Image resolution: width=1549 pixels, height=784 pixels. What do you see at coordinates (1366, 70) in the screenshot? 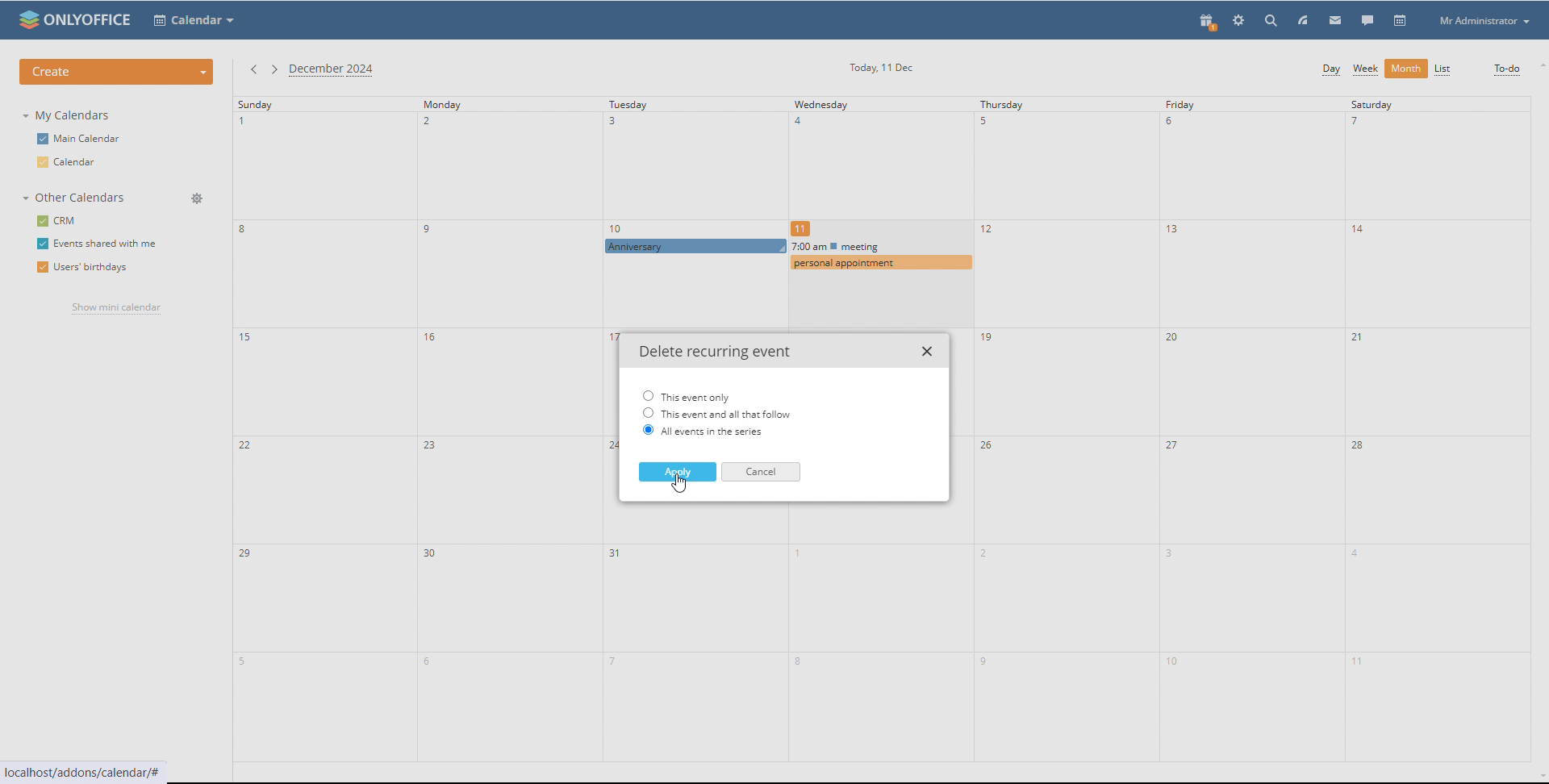
I see `week view` at bounding box center [1366, 70].